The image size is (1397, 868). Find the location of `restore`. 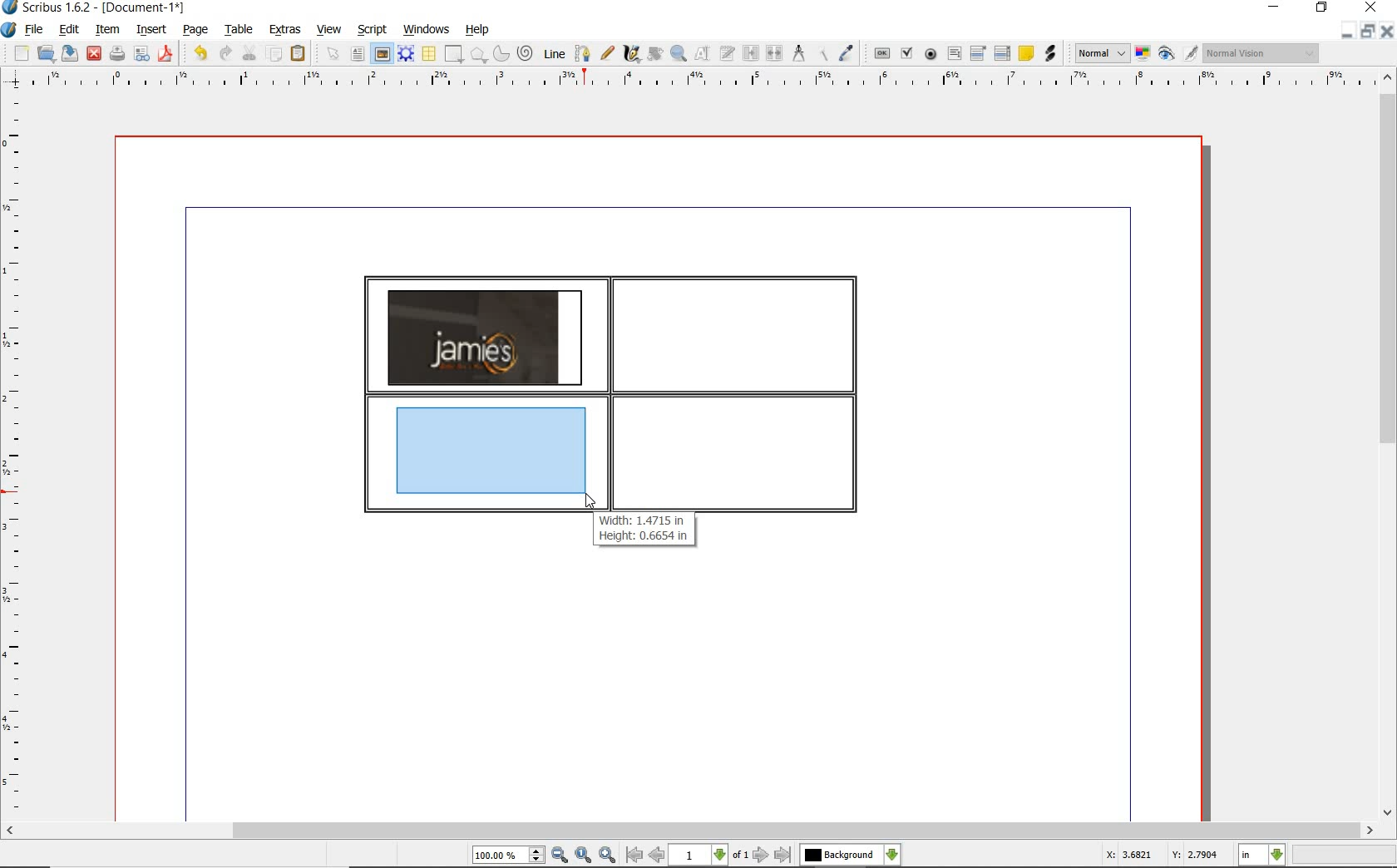

restore is located at coordinates (1366, 32).